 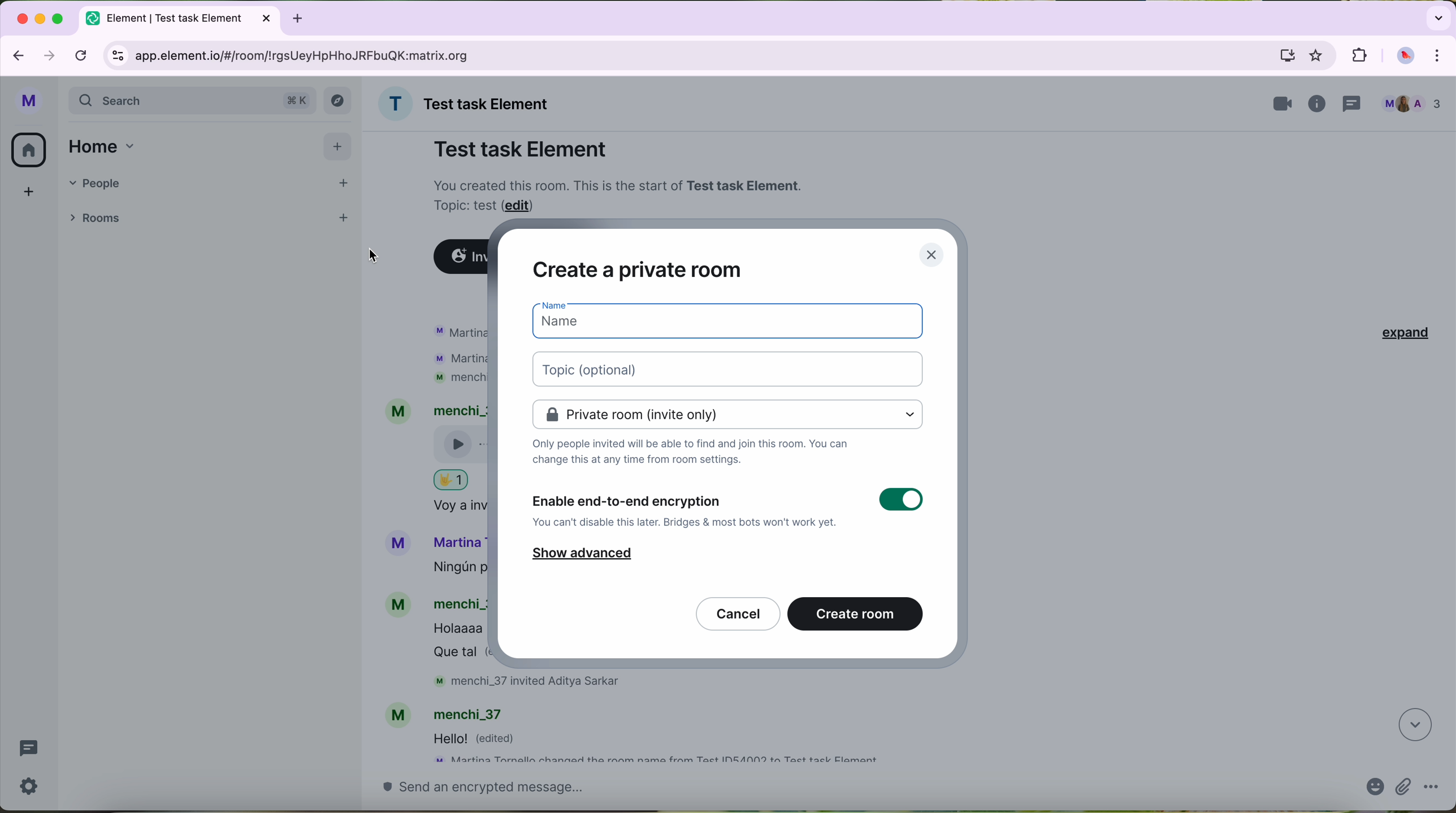 What do you see at coordinates (21, 19) in the screenshot?
I see `close Google Chrome` at bounding box center [21, 19].